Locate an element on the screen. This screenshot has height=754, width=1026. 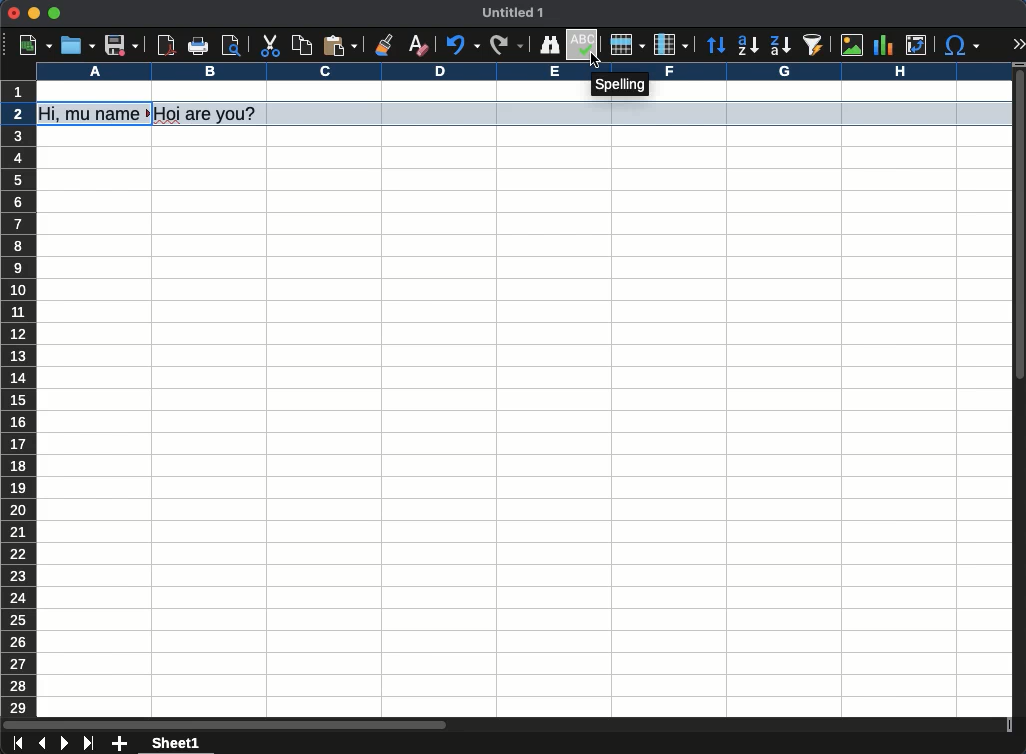
print preview is located at coordinates (233, 45).